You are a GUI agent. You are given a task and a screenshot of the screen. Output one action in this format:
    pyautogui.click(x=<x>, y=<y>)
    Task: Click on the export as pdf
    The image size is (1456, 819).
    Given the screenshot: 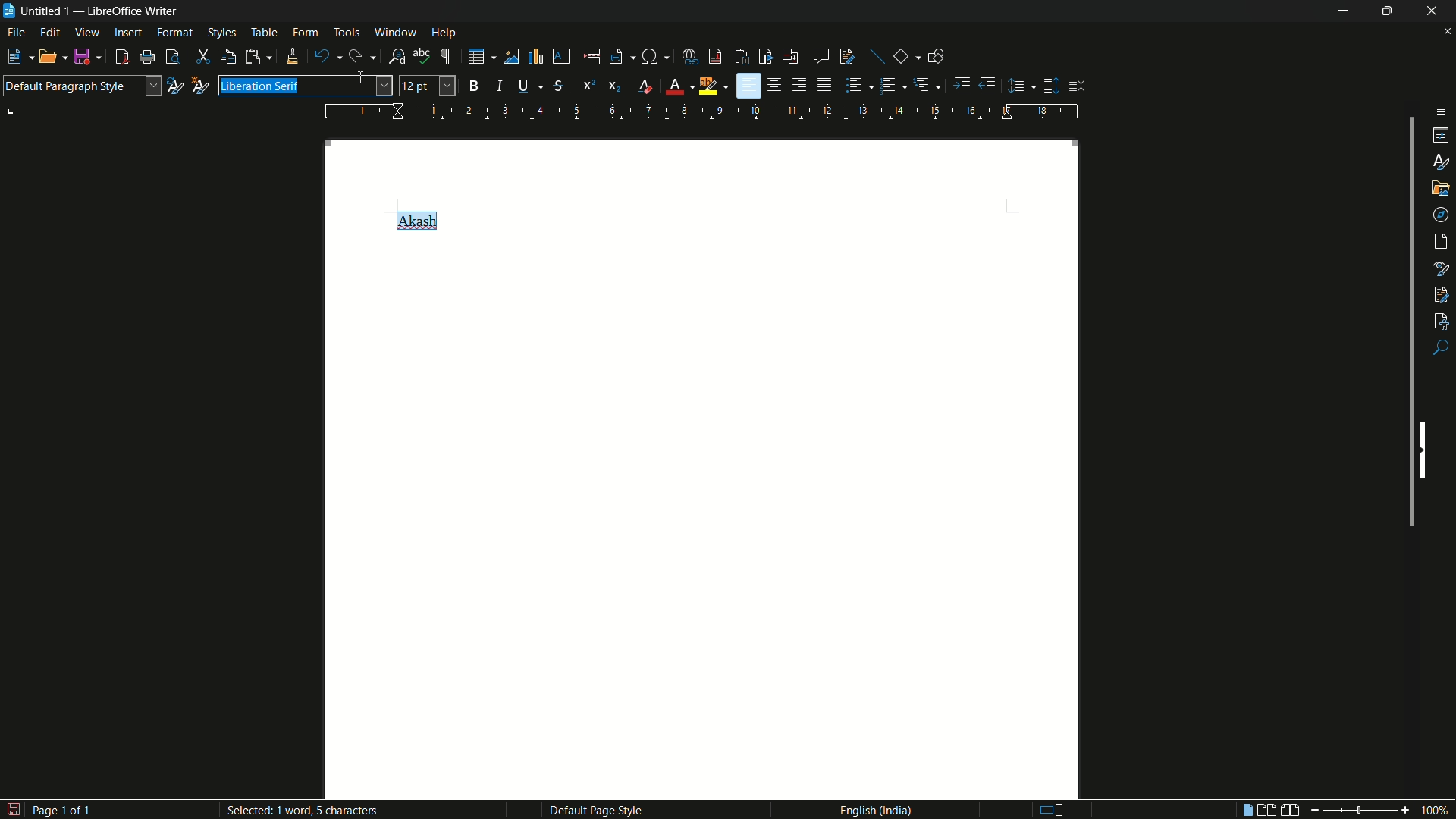 What is the action you would take?
    pyautogui.click(x=121, y=58)
    